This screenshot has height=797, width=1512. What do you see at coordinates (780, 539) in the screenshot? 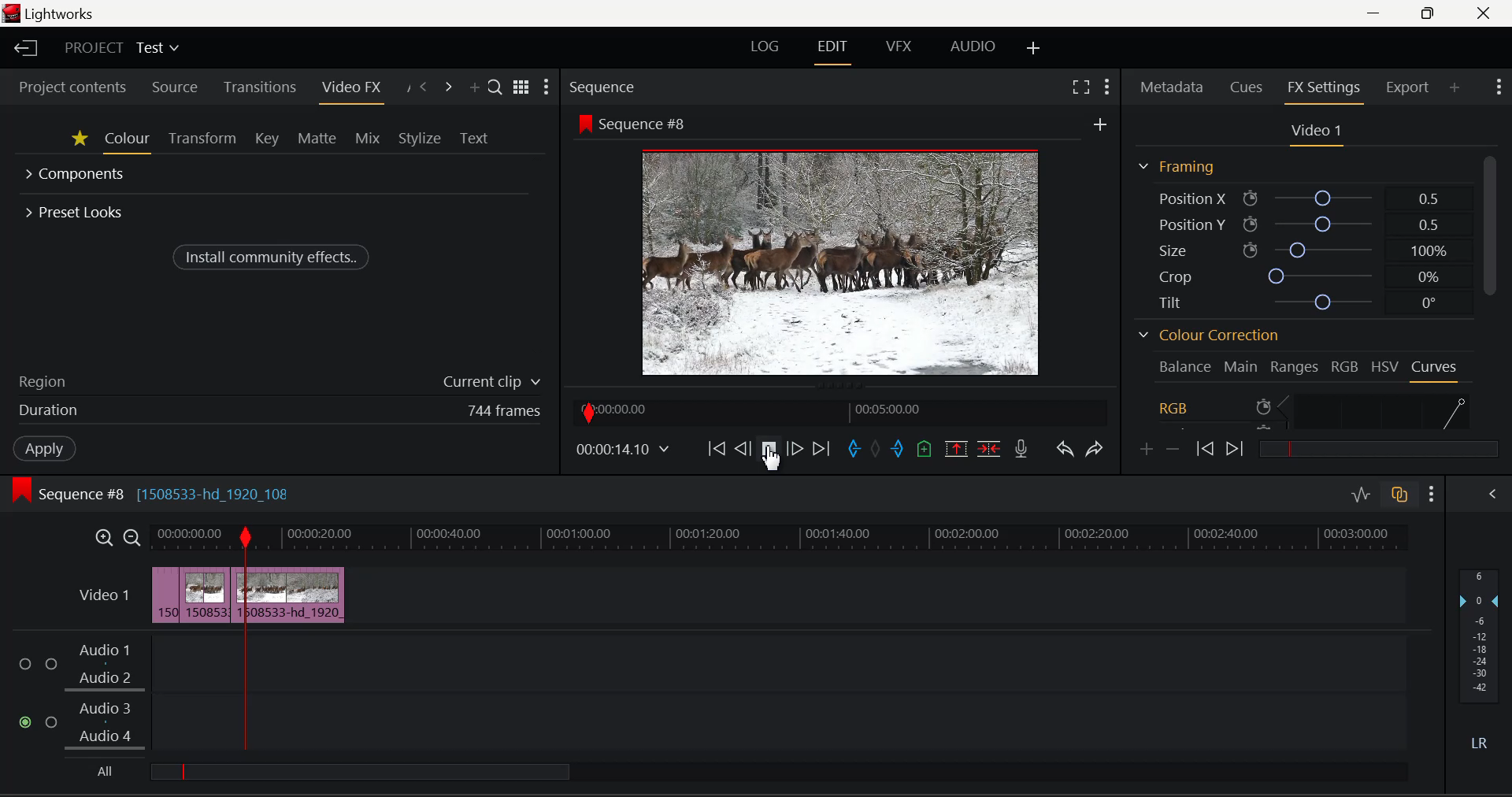
I see `Project Timeline Tracks` at bounding box center [780, 539].